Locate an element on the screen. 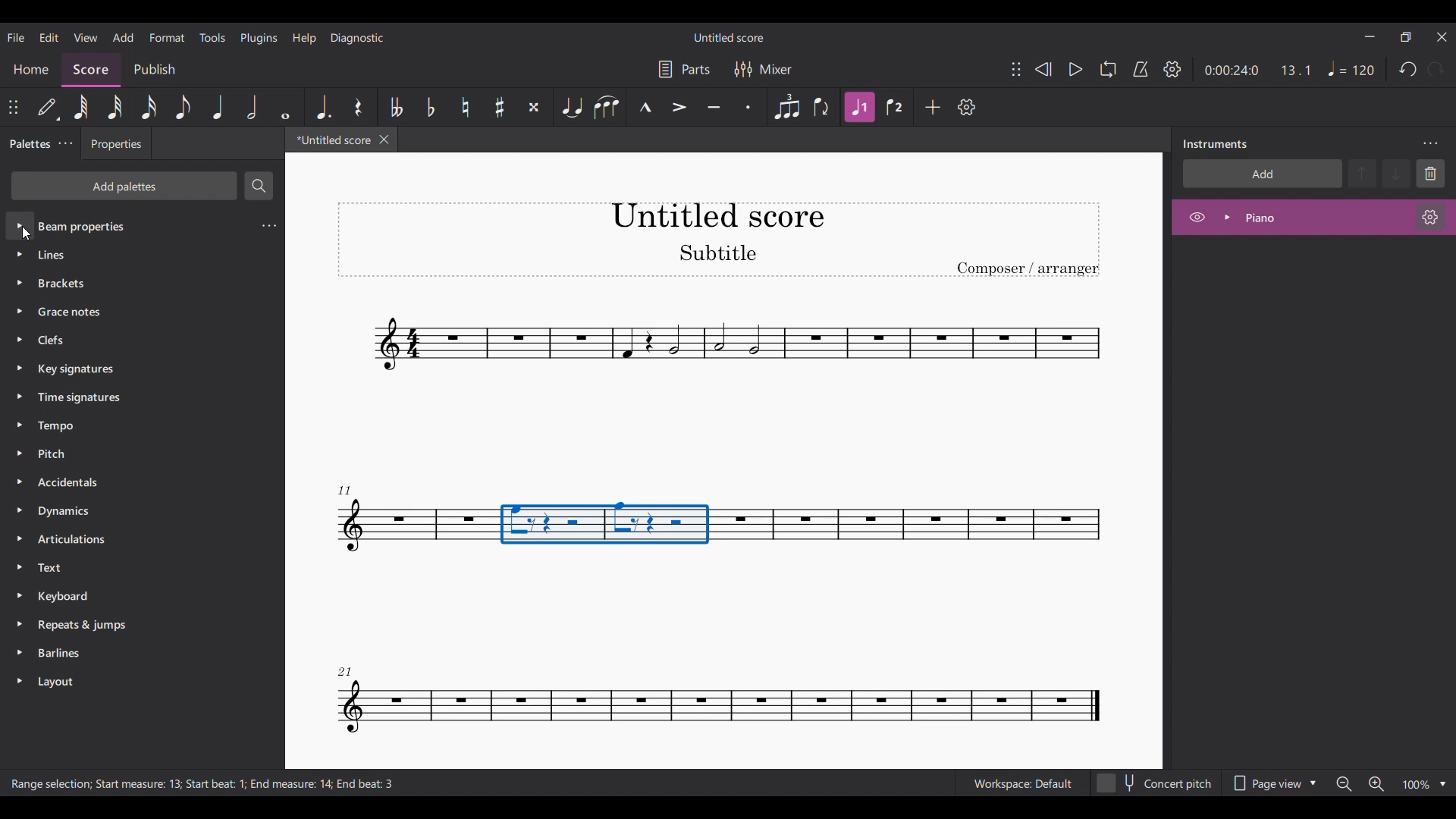 The height and width of the screenshot is (819, 1456). Tenuto is located at coordinates (714, 107).